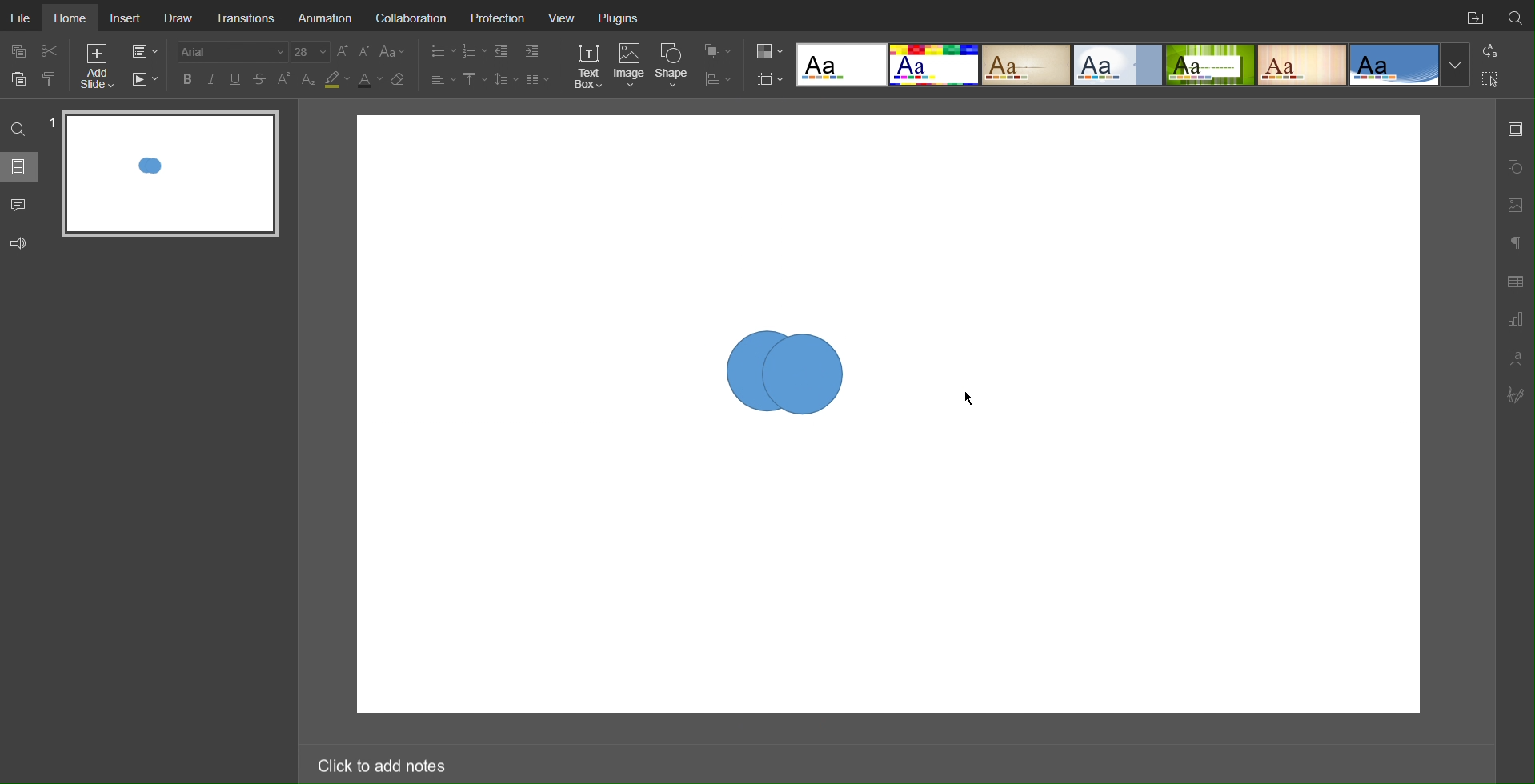 The width and height of the screenshot is (1535, 784). What do you see at coordinates (1514, 167) in the screenshot?
I see `Shape Settings` at bounding box center [1514, 167].